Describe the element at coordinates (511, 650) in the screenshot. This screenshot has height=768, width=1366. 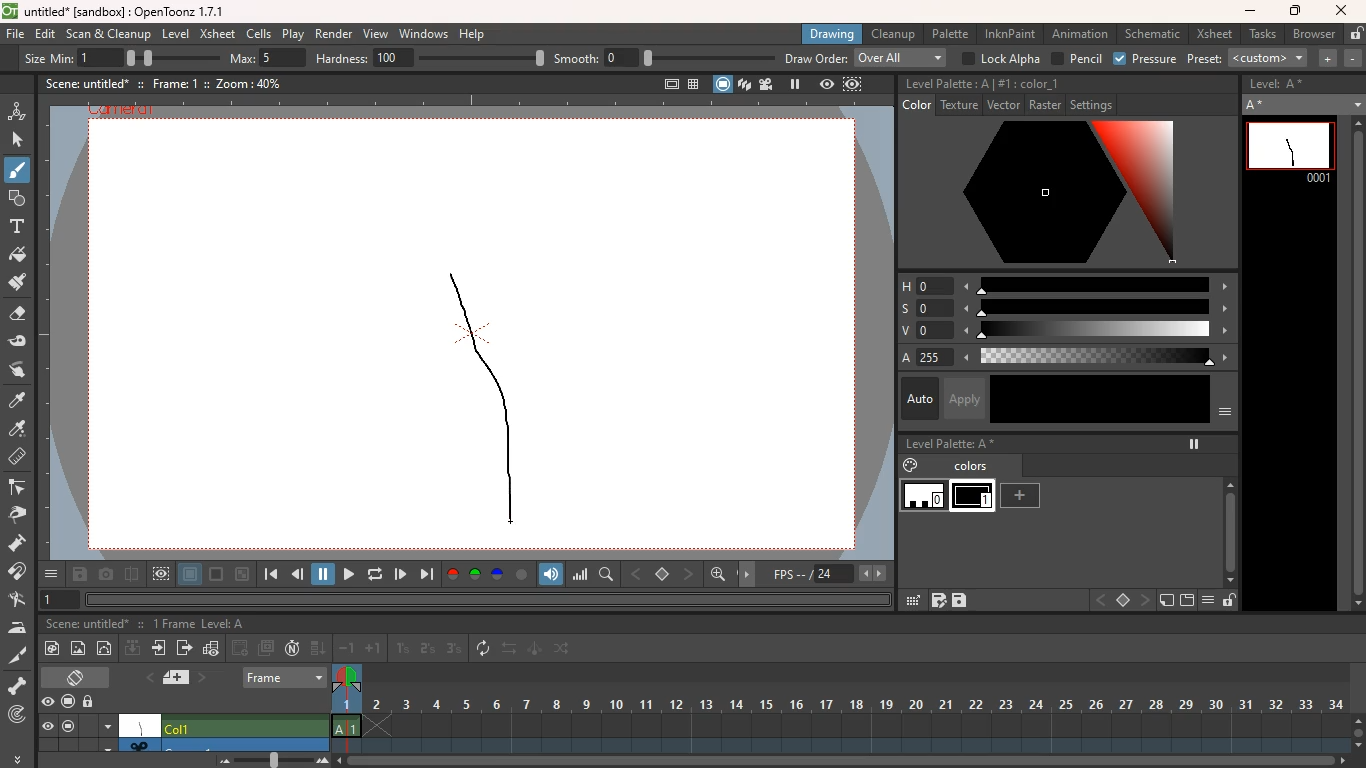
I see `swap` at that location.